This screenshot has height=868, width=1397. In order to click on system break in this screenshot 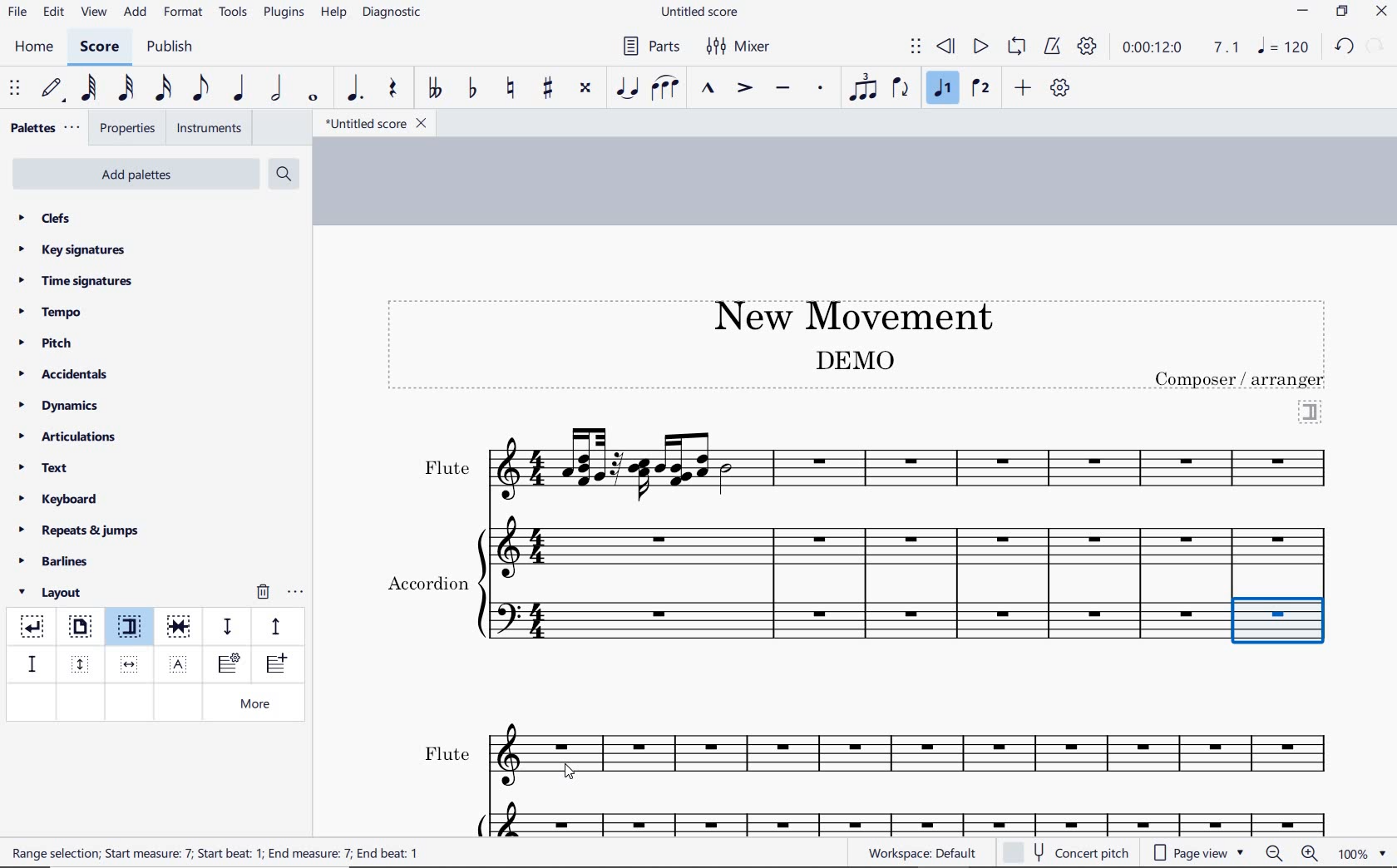, I will do `click(33, 624)`.